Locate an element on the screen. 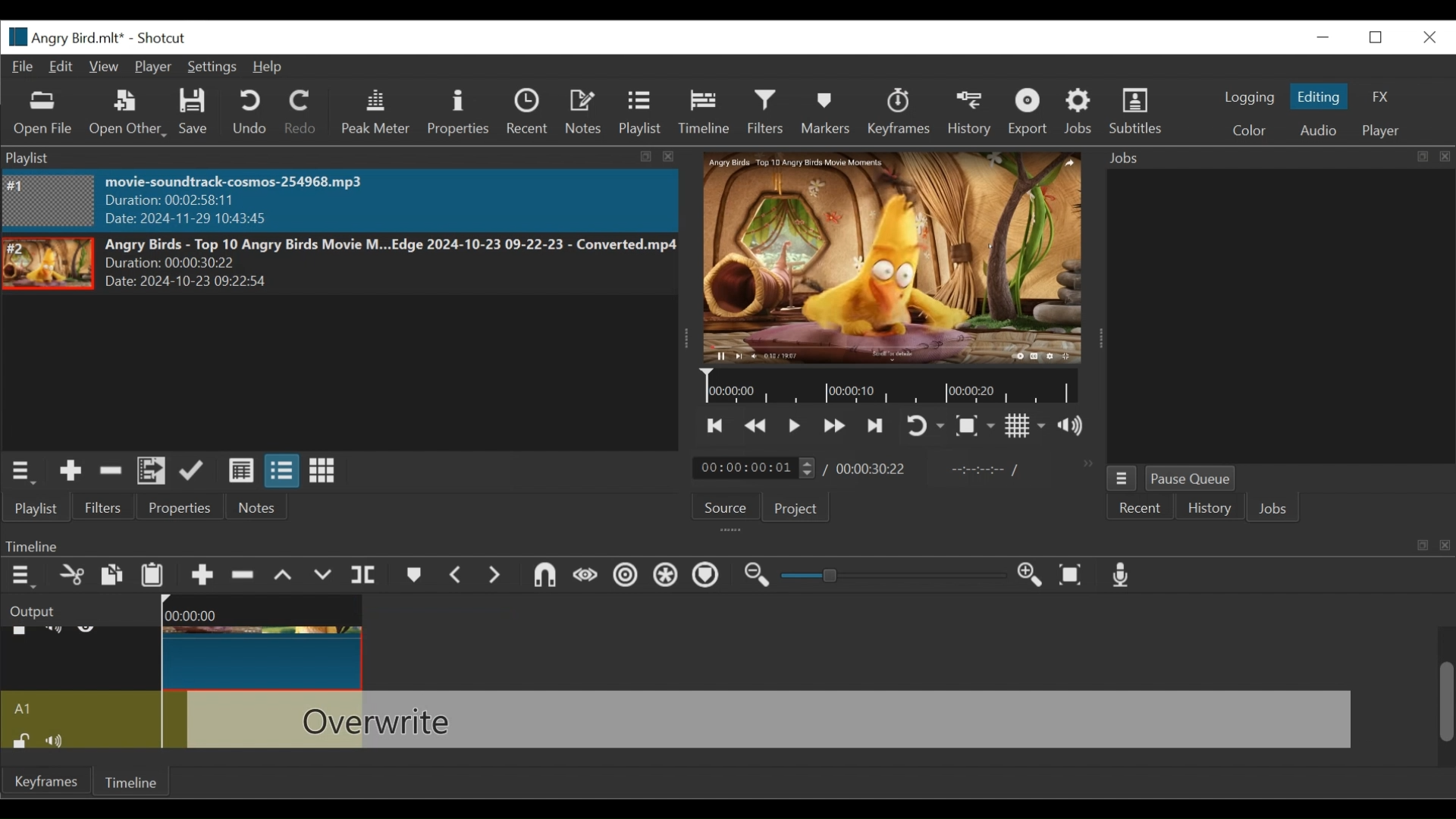 The height and width of the screenshot is (819, 1456). Image is located at coordinates (49, 200).